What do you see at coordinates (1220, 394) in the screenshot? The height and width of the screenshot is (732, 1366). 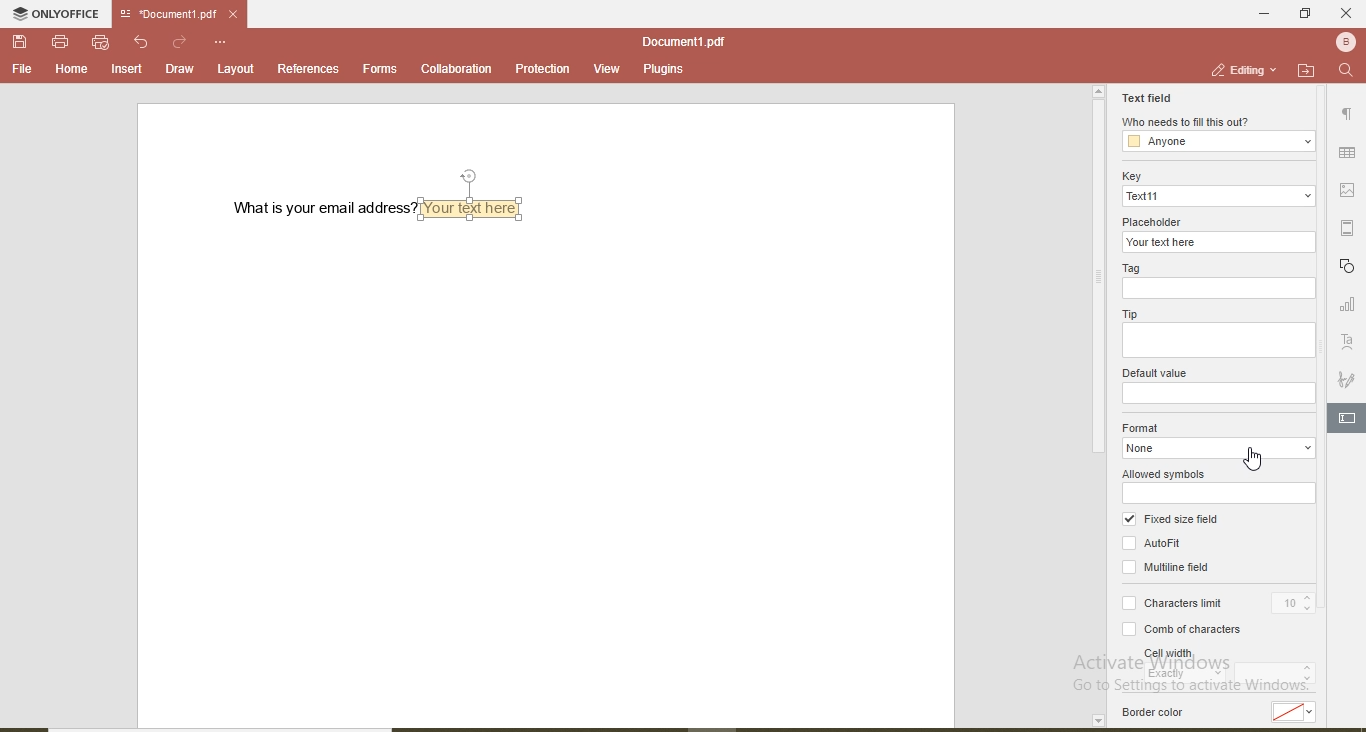 I see `default value input` at bounding box center [1220, 394].